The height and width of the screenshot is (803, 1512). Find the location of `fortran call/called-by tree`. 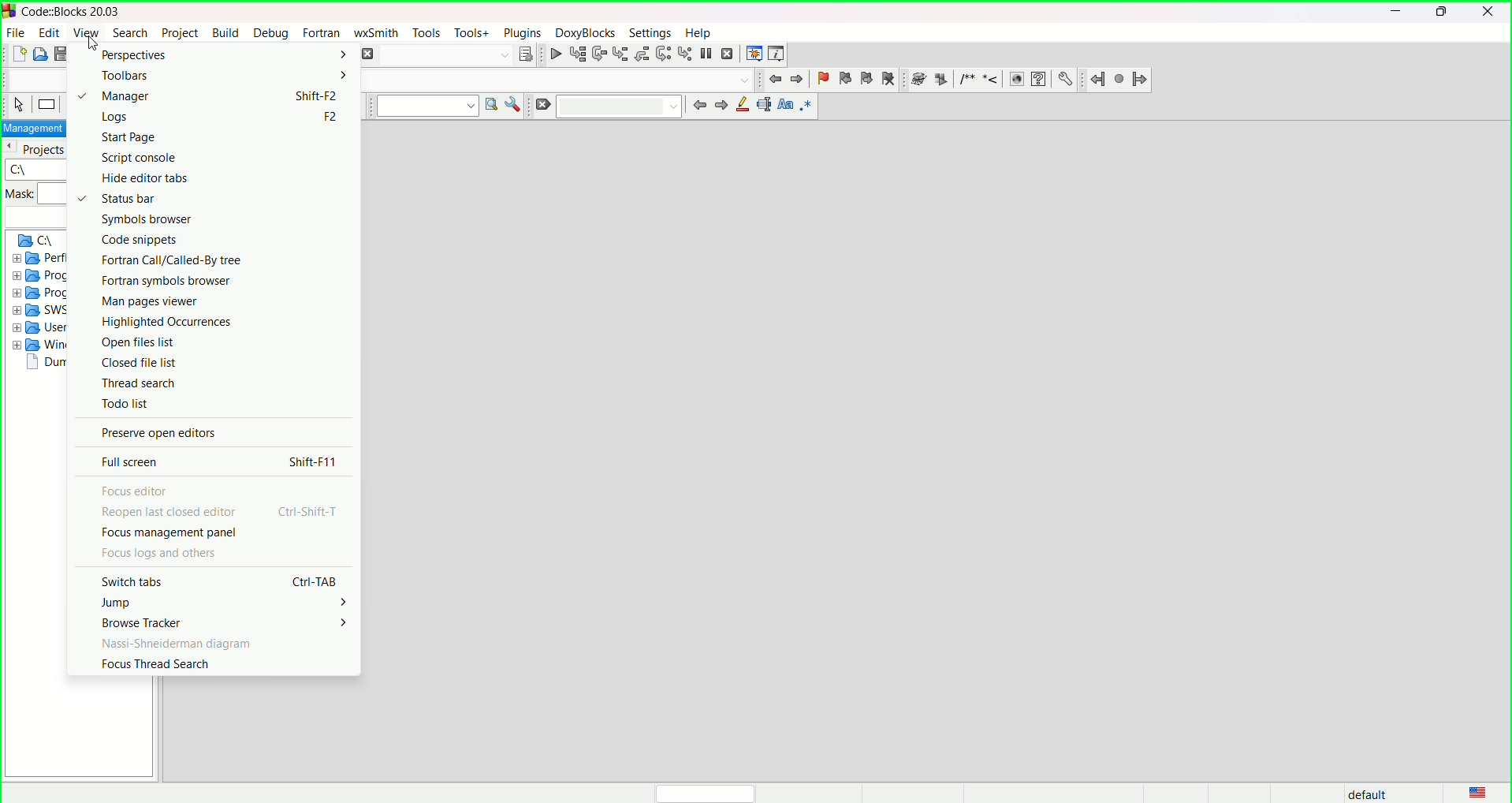

fortran call/called-by tree is located at coordinates (172, 260).